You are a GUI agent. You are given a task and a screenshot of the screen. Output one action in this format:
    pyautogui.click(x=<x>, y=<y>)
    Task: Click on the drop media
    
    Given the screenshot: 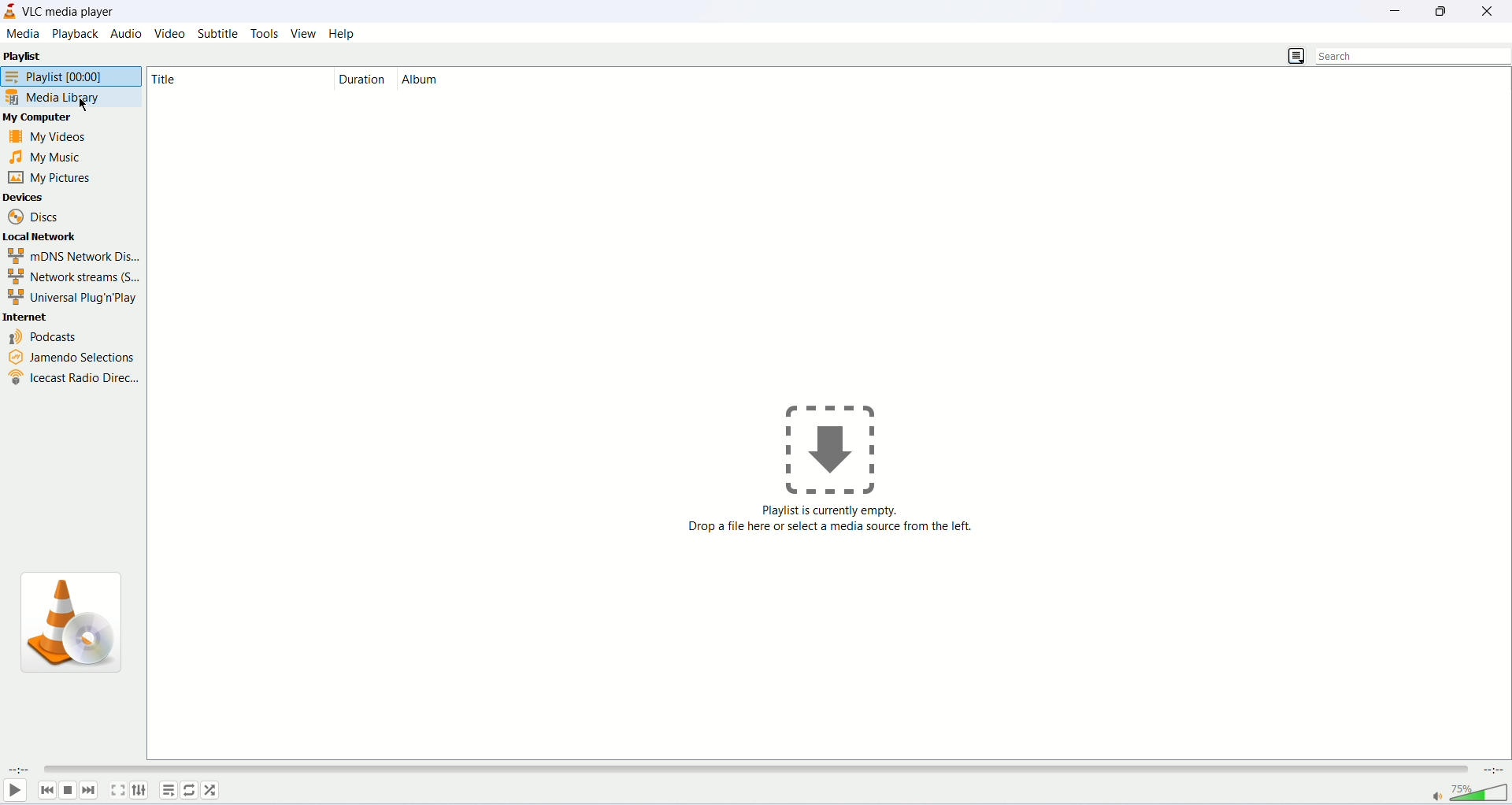 What is the action you would take?
    pyautogui.click(x=840, y=444)
    